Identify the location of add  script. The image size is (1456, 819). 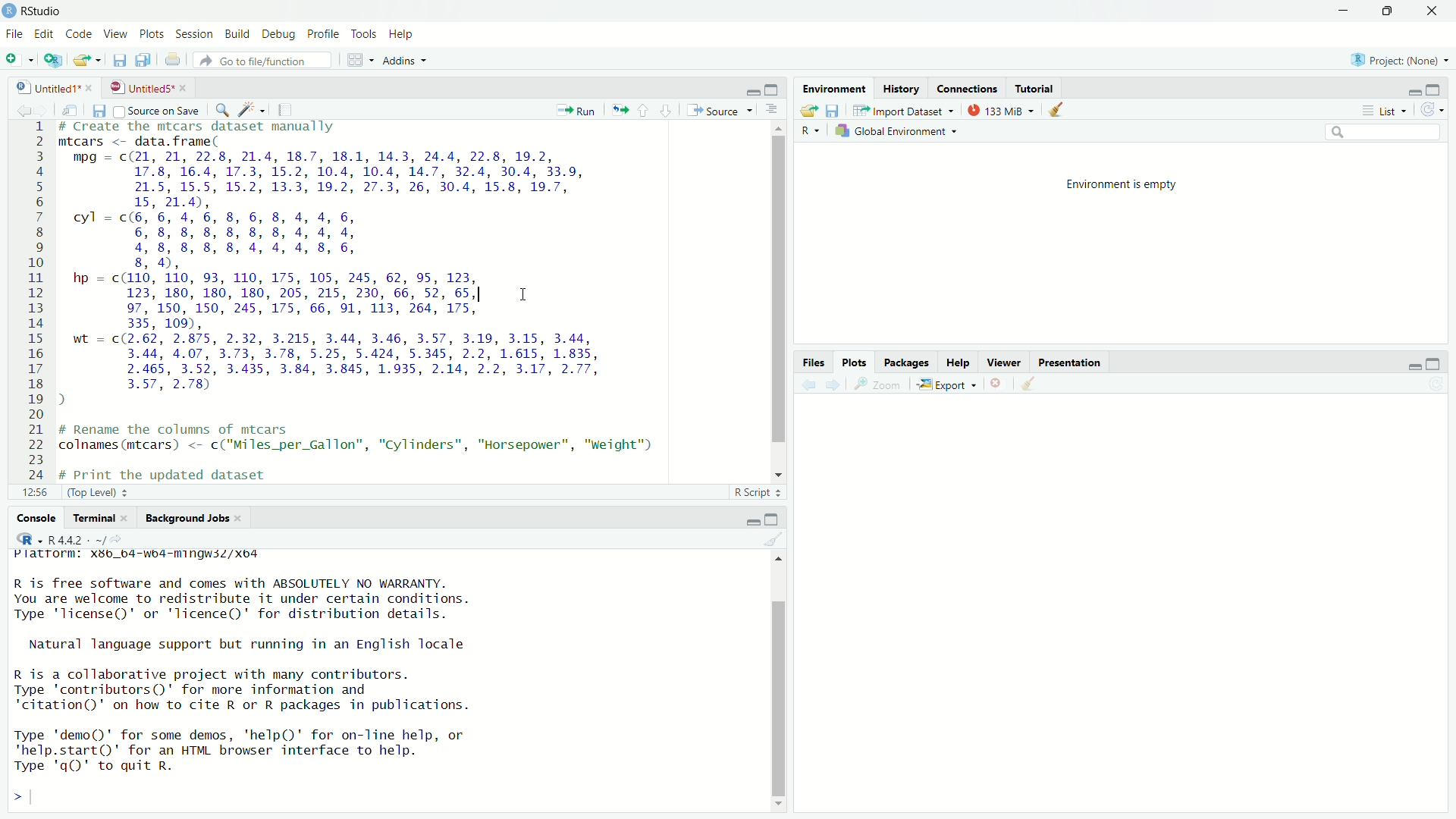
(52, 65).